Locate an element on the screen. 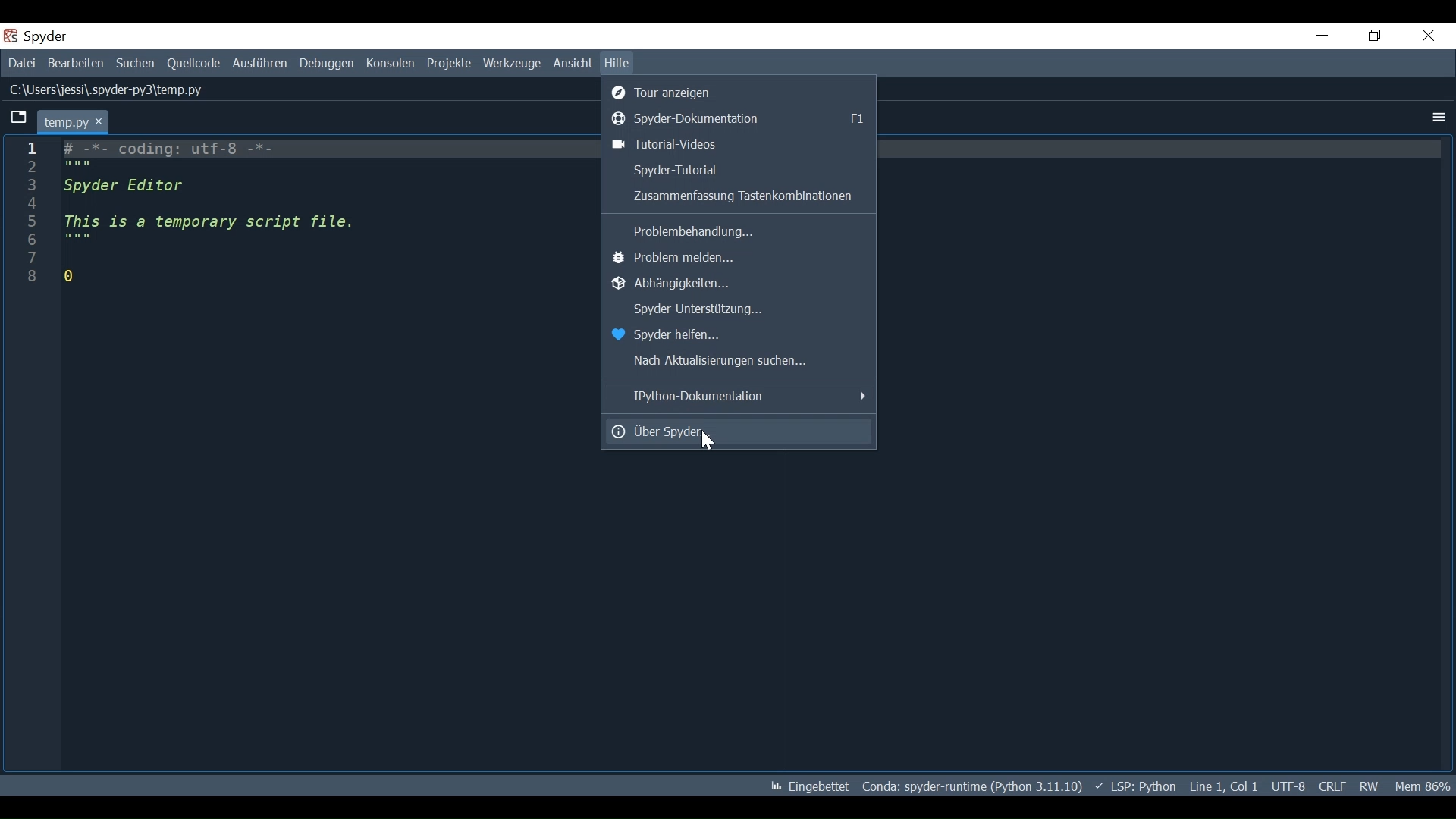 The image size is (1456, 819). Zusammenfassung Tastenkombinationen is located at coordinates (738, 197).